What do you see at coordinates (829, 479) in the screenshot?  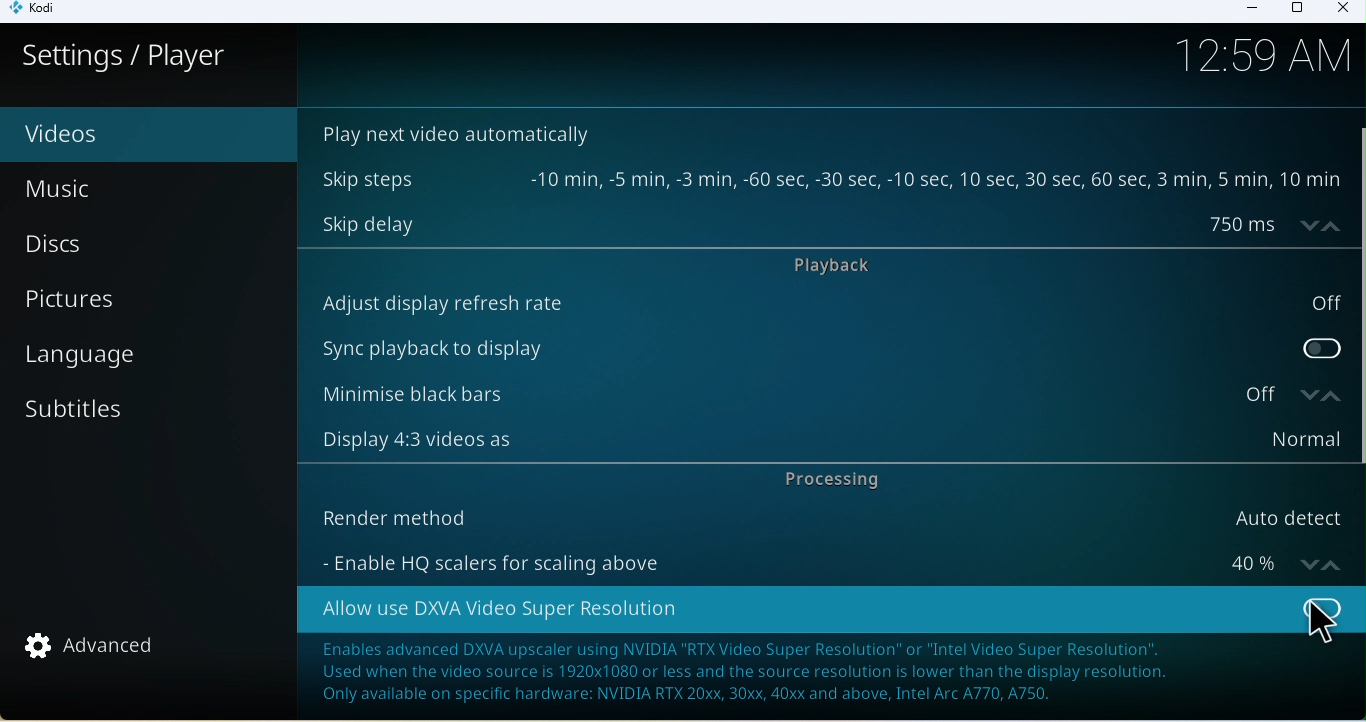 I see `Processing` at bounding box center [829, 479].